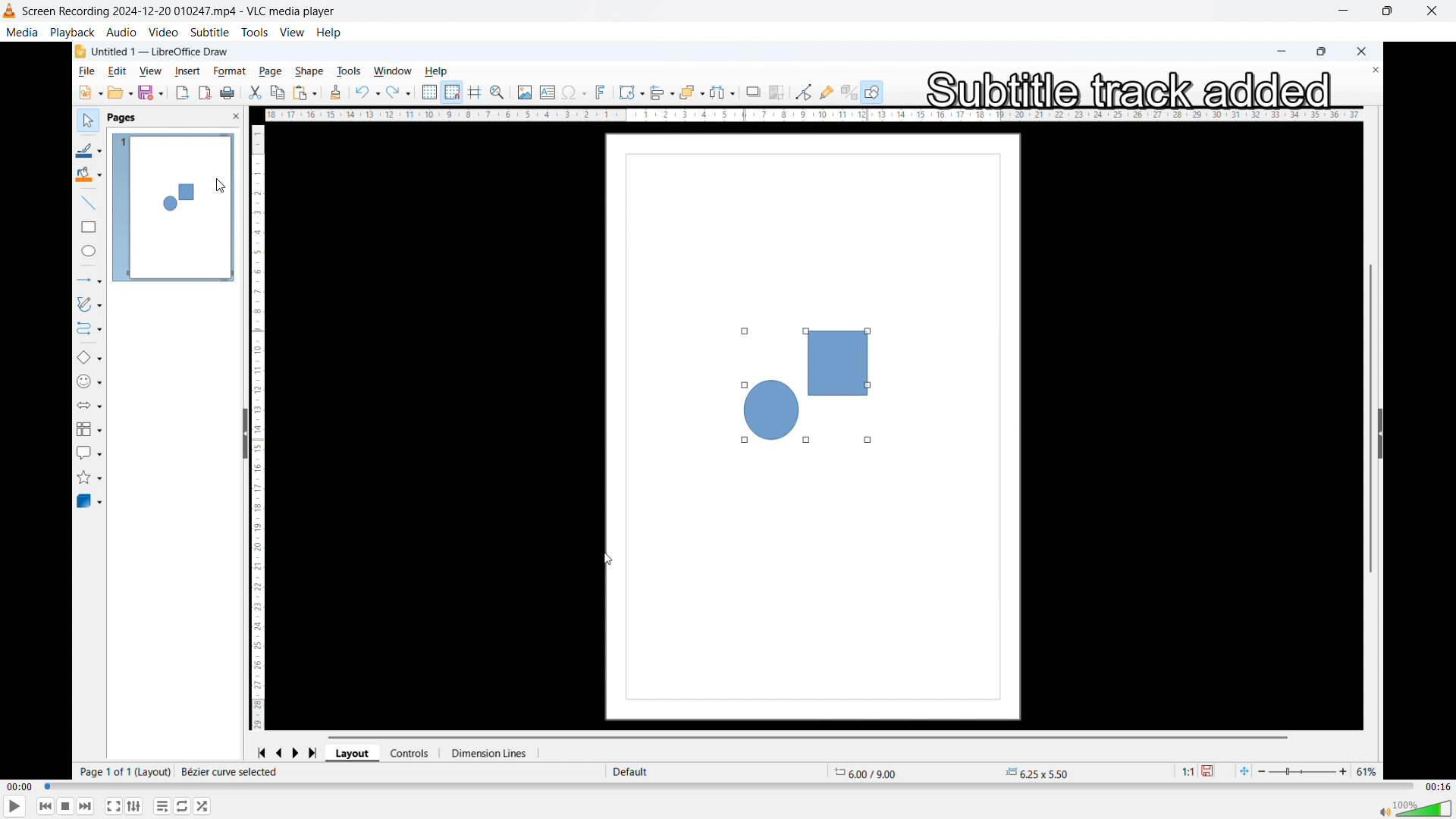 This screenshot has width=1456, height=819. What do you see at coordinates (45, 806) in the screenshot?
I see `Backward or previous media ` at bounding box center [45, 806].